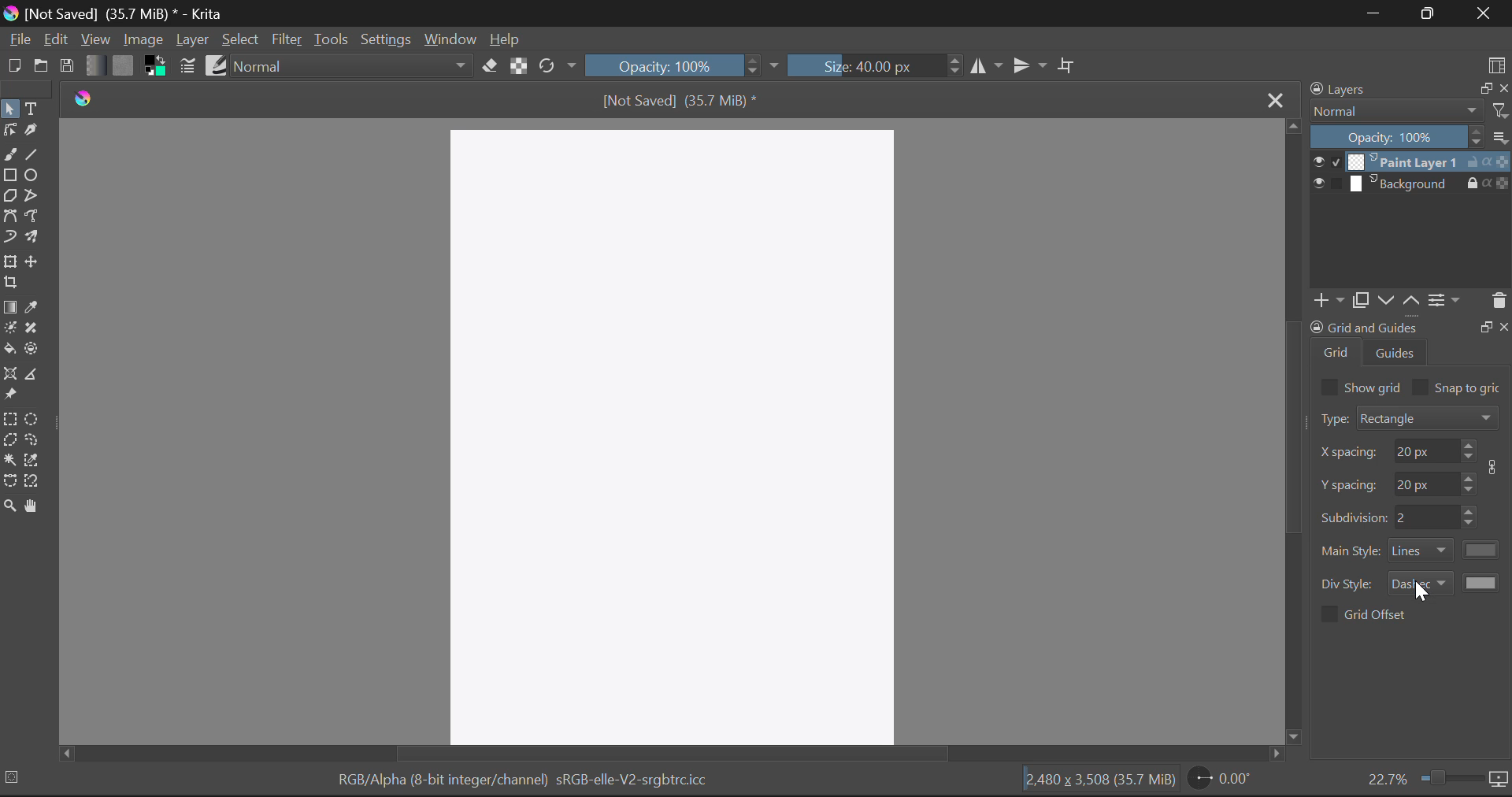  I want to click on Freehand Path Tool, so click(36, 218).